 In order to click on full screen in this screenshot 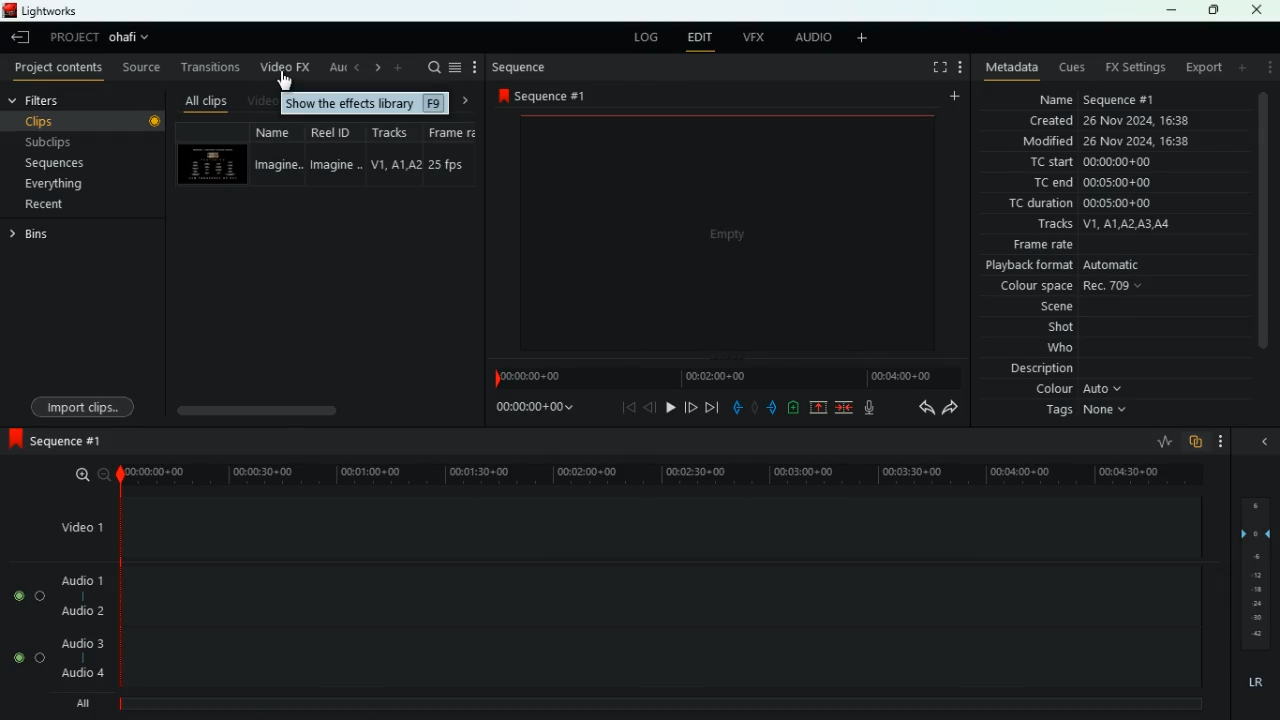, I will do `click(937, 67)`.